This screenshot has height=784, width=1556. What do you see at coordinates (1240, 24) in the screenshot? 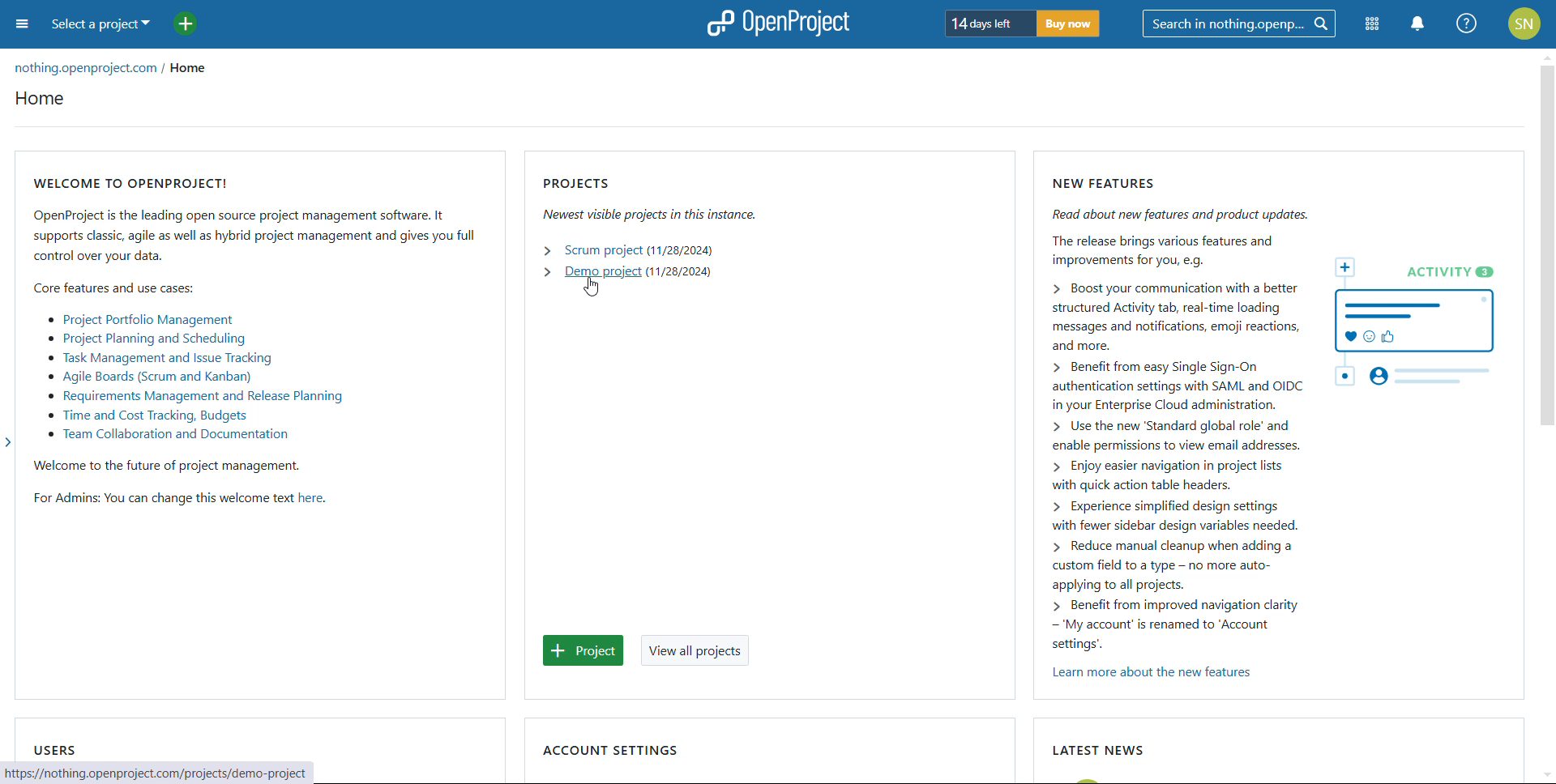
I see `search` at bounding box center [1240, 24].